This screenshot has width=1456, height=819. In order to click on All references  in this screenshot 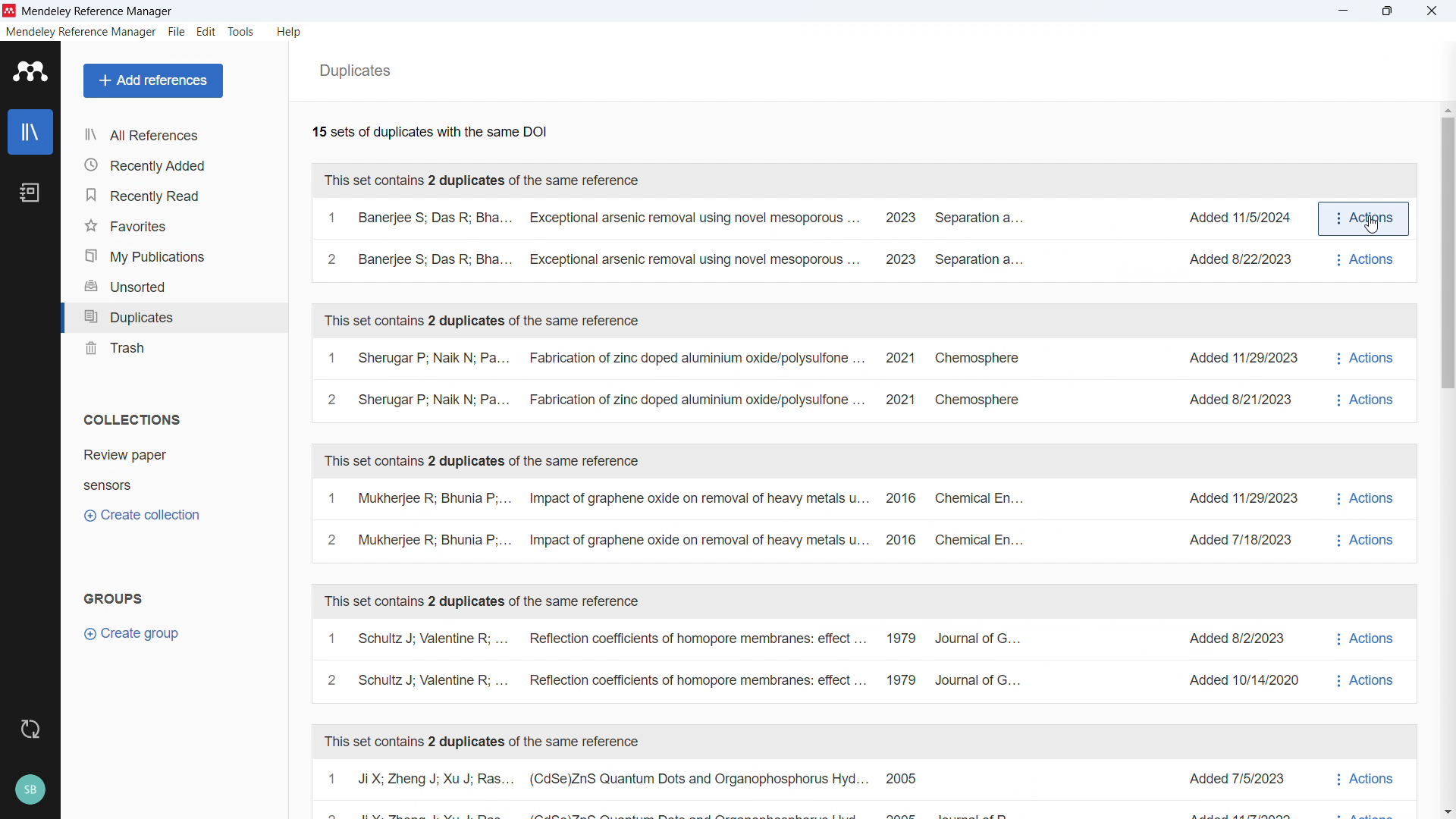, I will do `click(174, 136)`.